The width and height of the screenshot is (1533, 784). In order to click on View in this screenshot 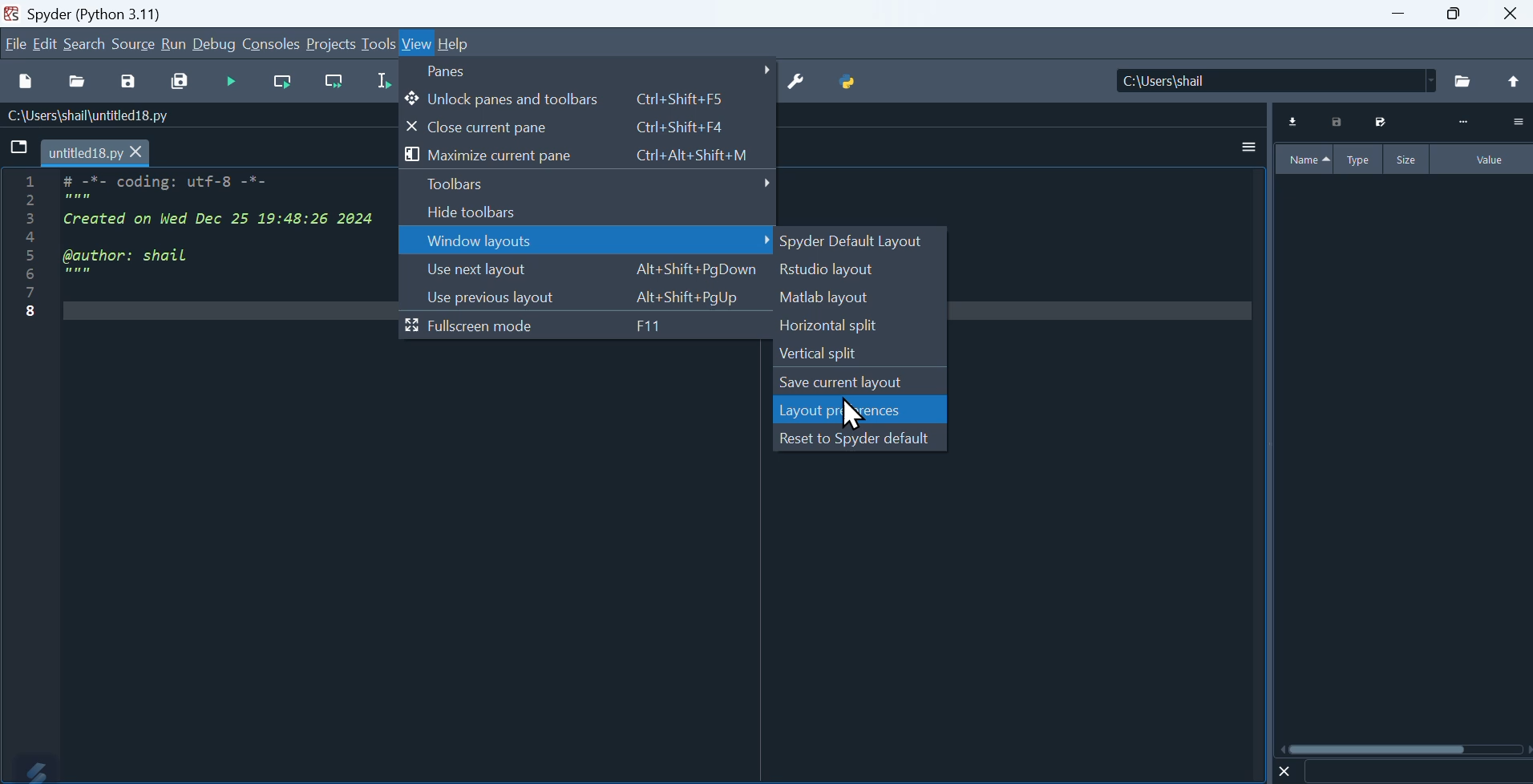, I will do `click(418, 45)`.